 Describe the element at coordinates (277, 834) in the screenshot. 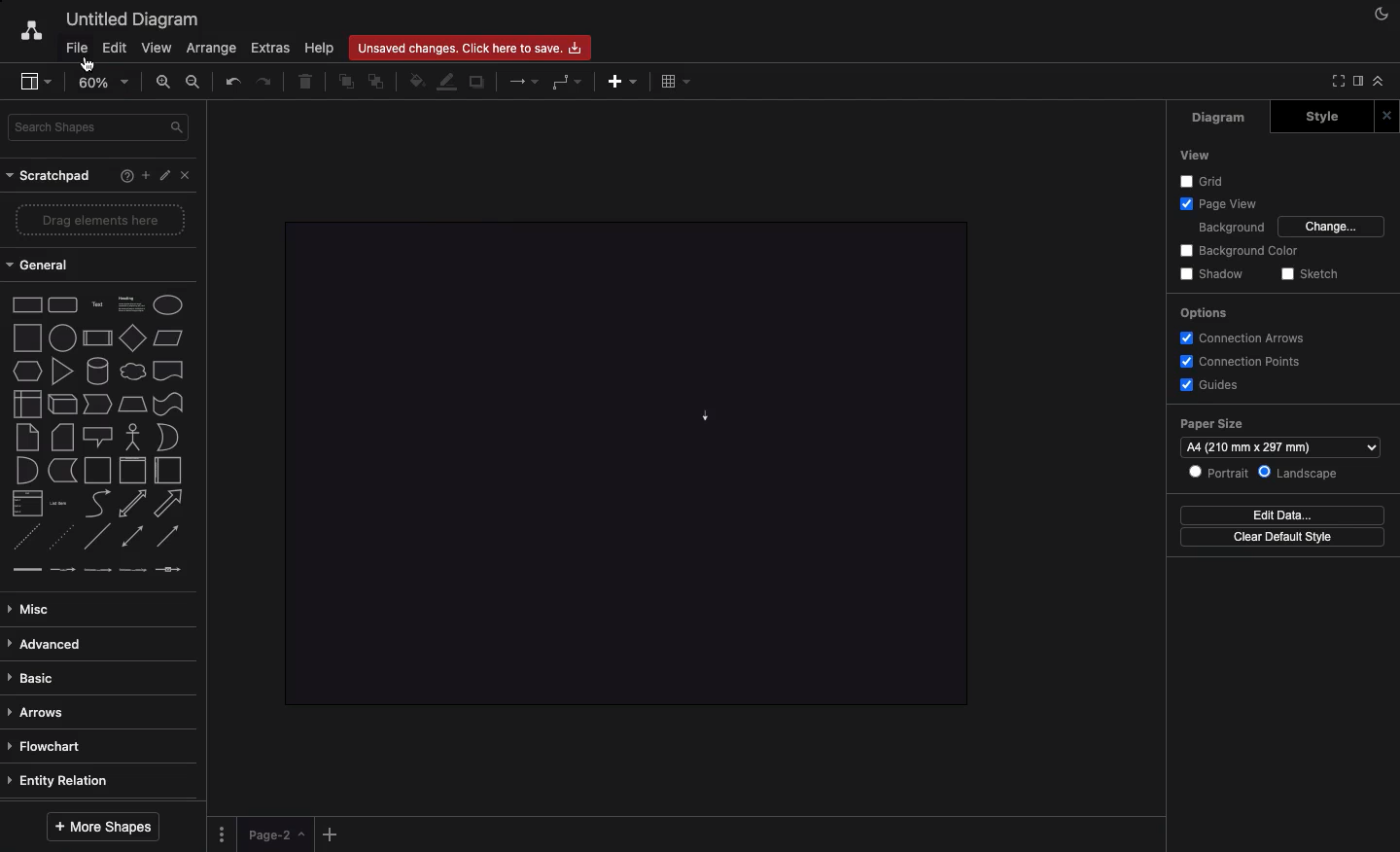

I see `Page` at that location.